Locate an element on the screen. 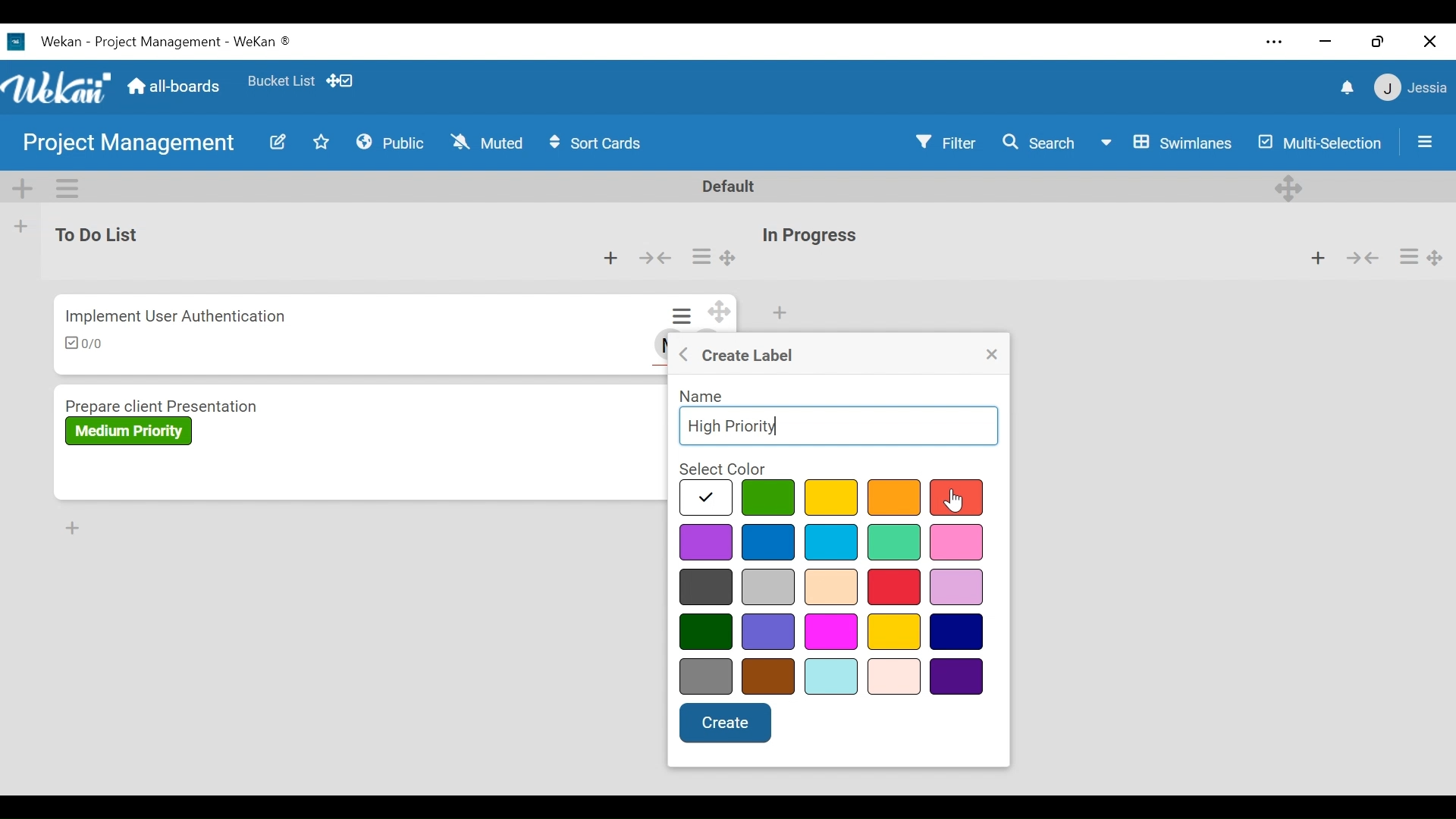  select color options is located at coordinates (832, 587).